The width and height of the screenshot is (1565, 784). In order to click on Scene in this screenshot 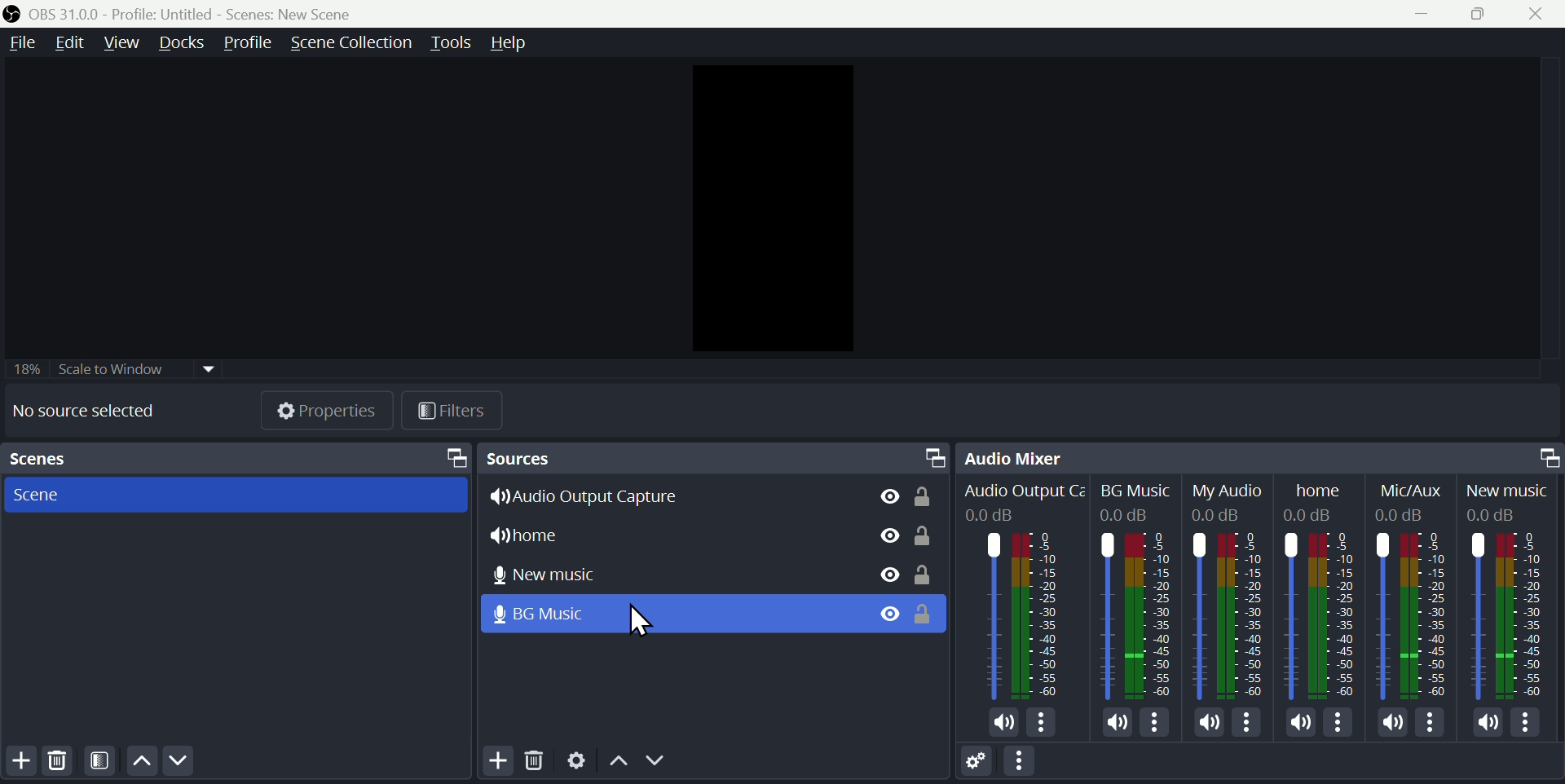, I will do `click(229, 494)`.